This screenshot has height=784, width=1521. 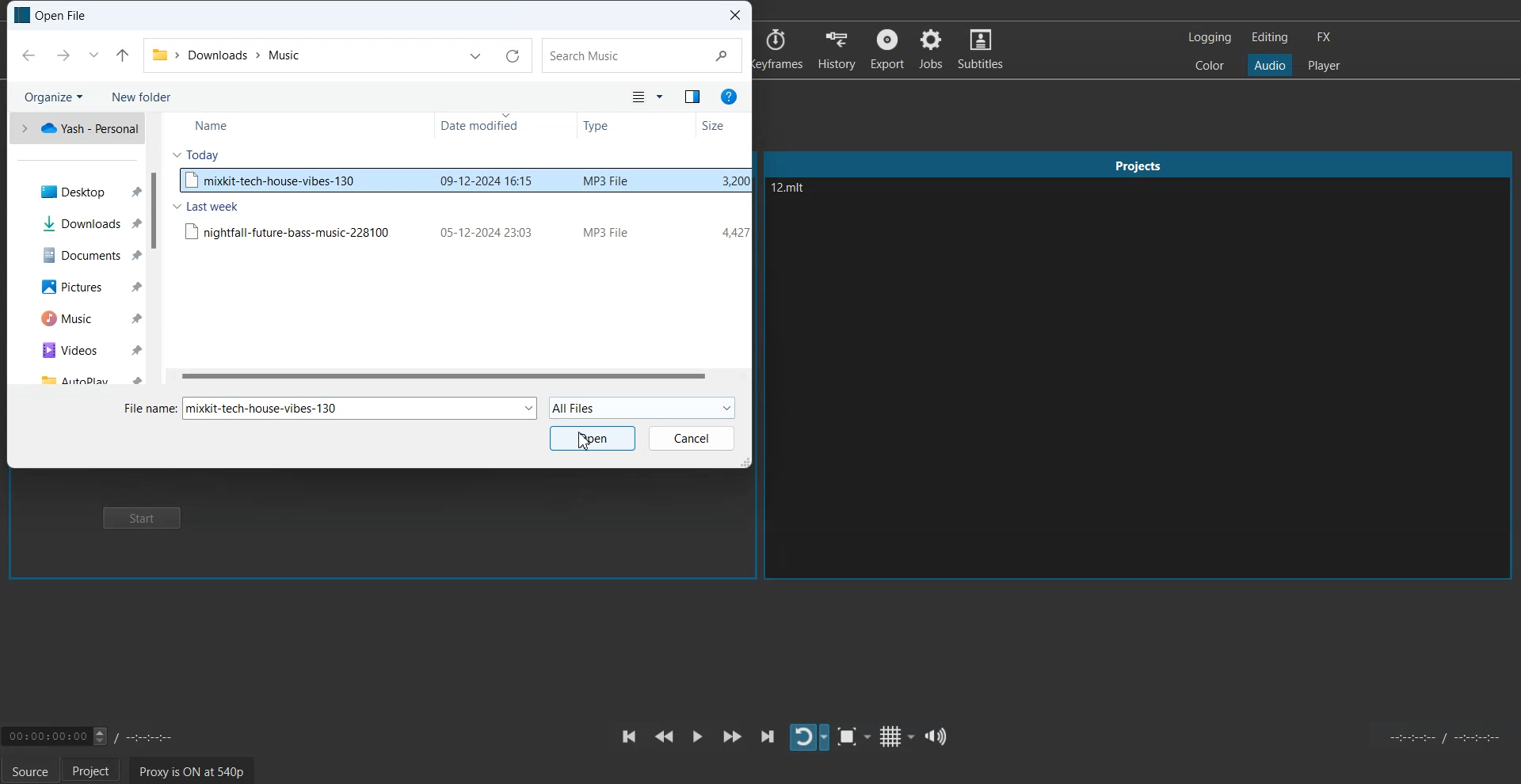 What do you see at coordinates (51, 96) in the screenshot?
I see `Organize` at bounding box center [51, 96].